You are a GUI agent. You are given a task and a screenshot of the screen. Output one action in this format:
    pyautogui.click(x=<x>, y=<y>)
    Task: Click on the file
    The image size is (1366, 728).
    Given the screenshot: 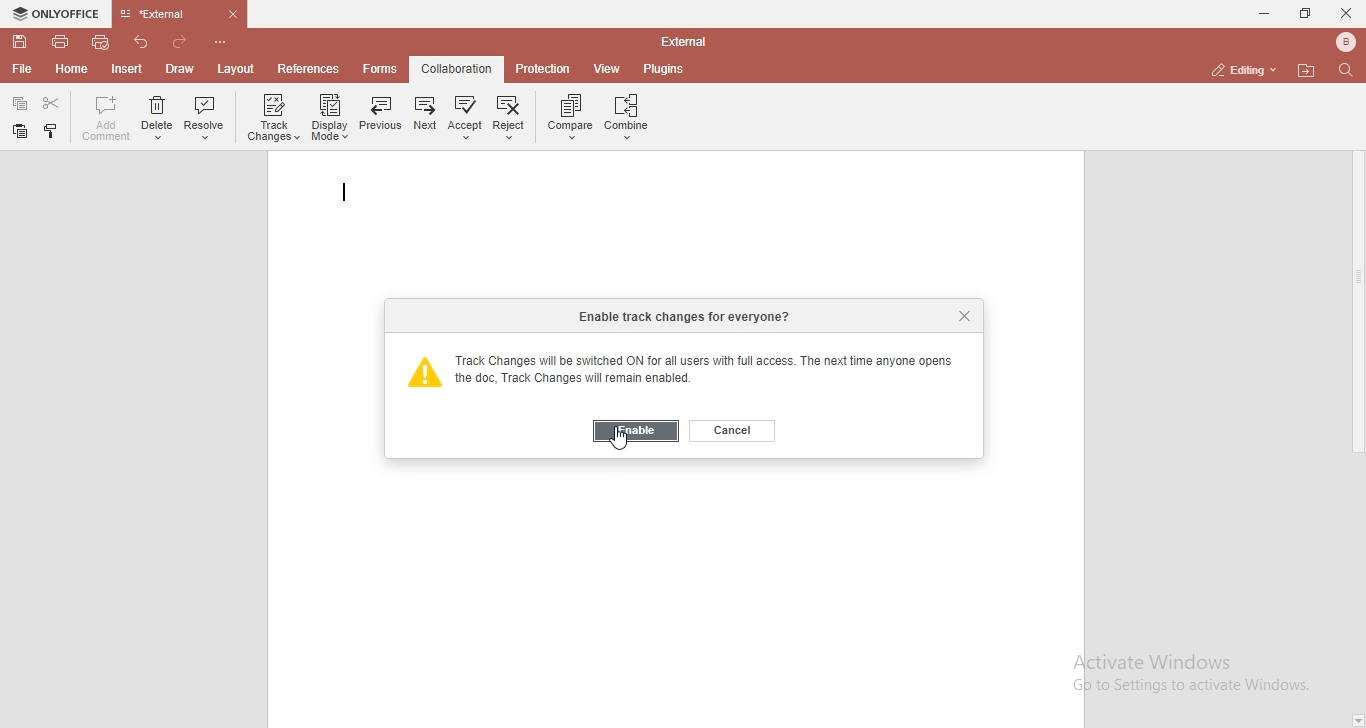 What is the action you would take?
    pyautogui.click(x=26, y=71)
    